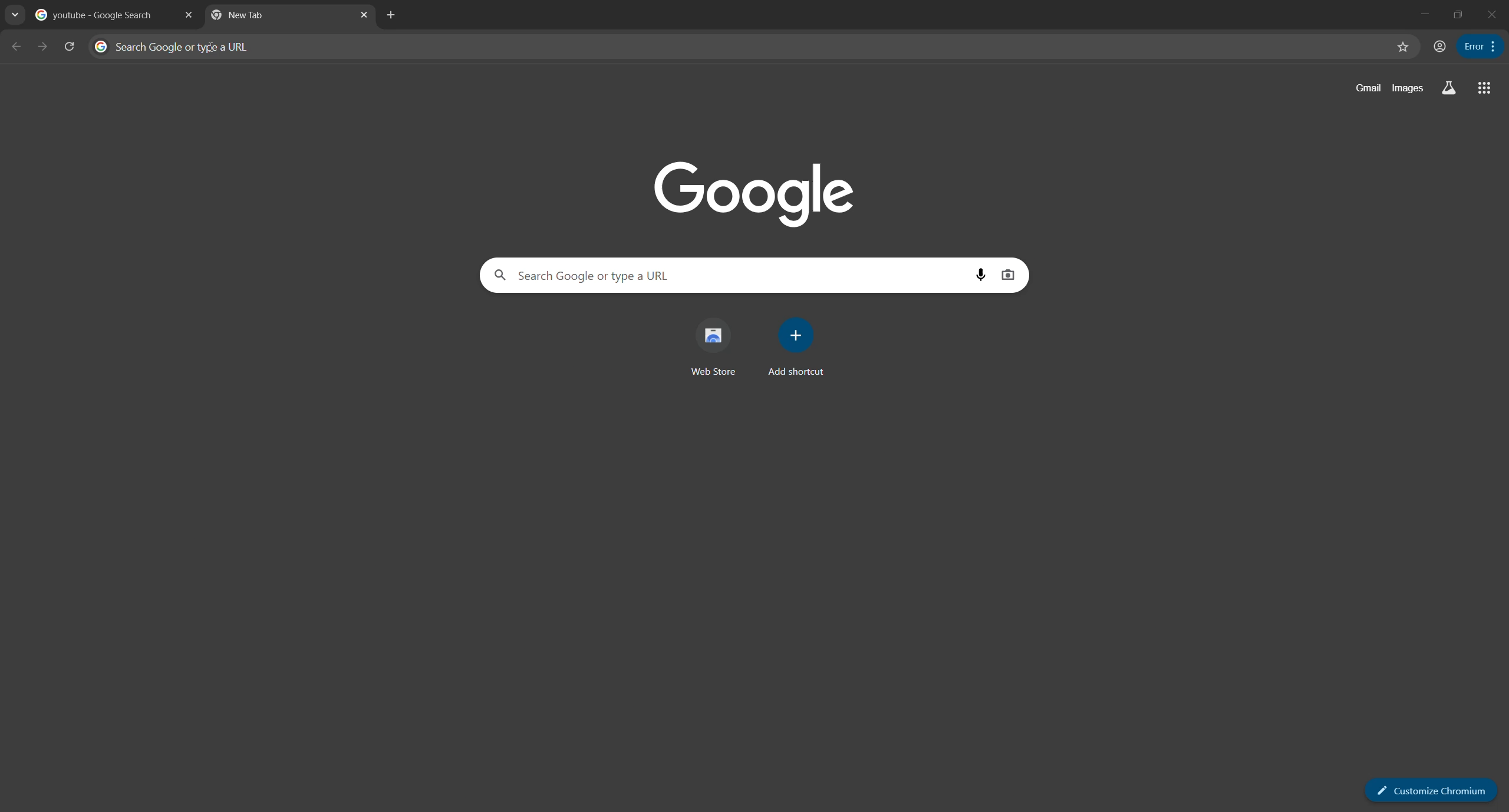  What do you see at coordinates (1402, 47) in the screenshot?
I see `bookmark this tab` at bounding box center [1402, 47].